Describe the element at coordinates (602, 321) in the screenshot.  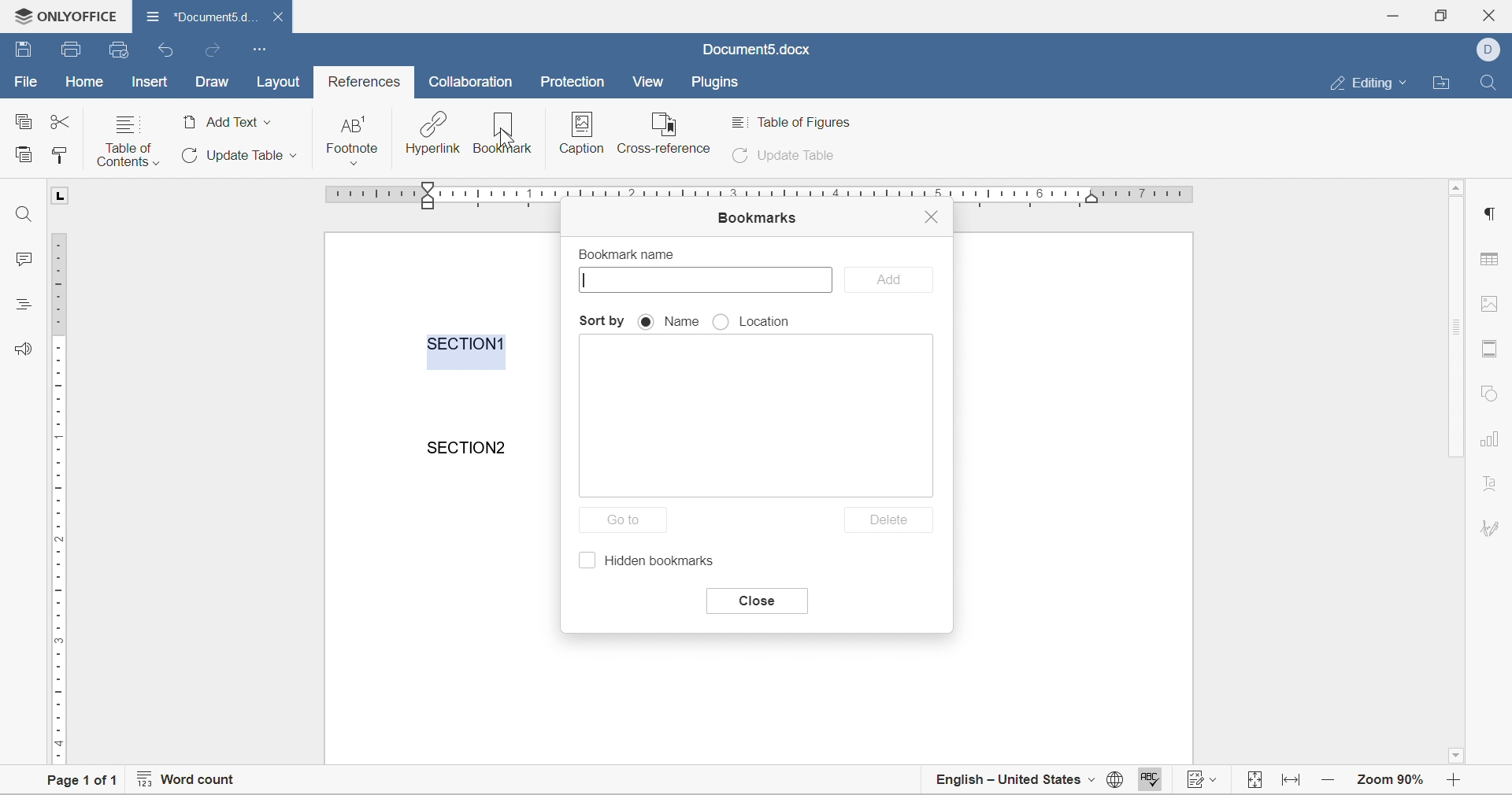
I see `sort by` at that location.